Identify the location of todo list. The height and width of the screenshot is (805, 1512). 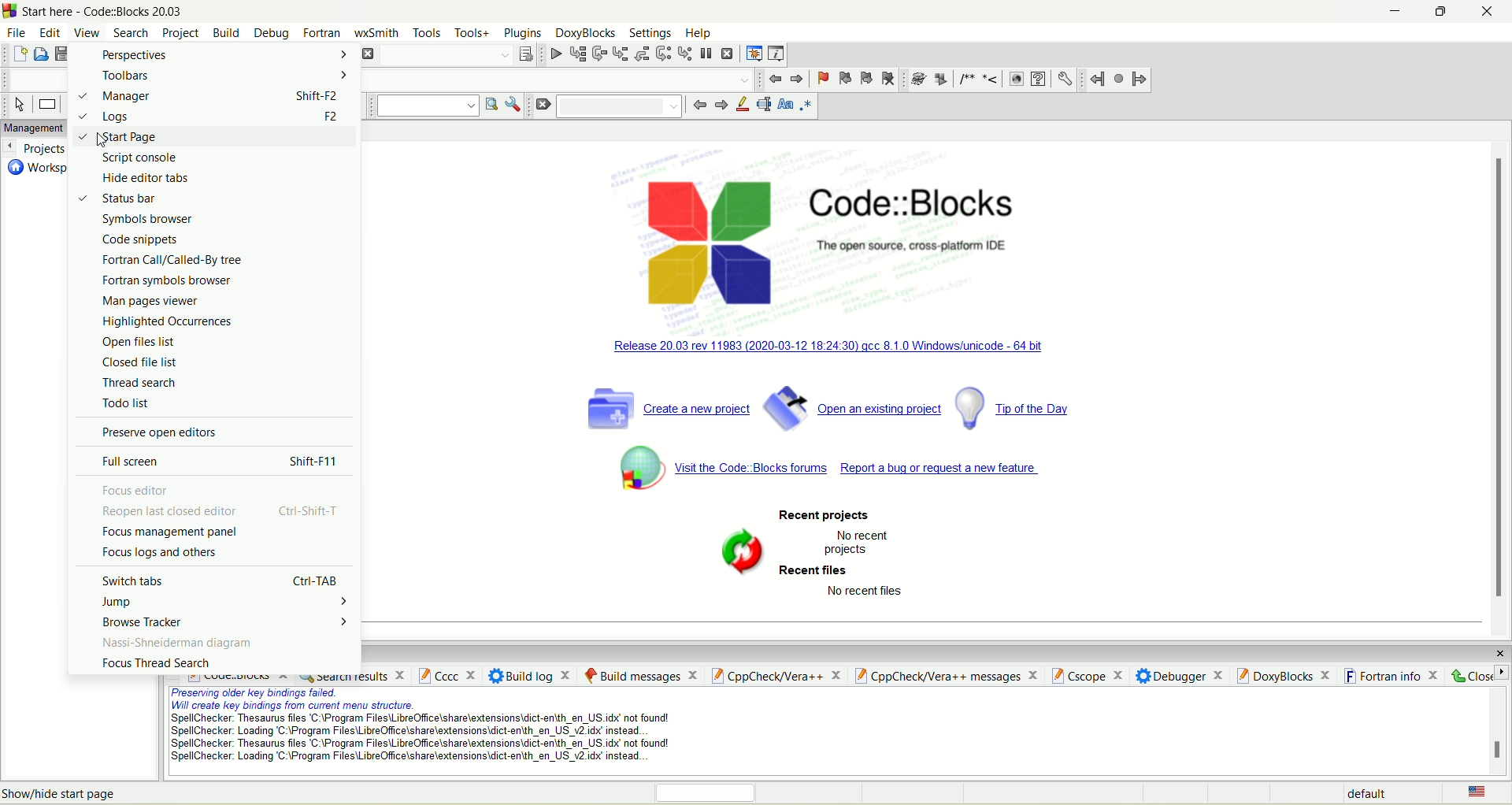
(126, 403).